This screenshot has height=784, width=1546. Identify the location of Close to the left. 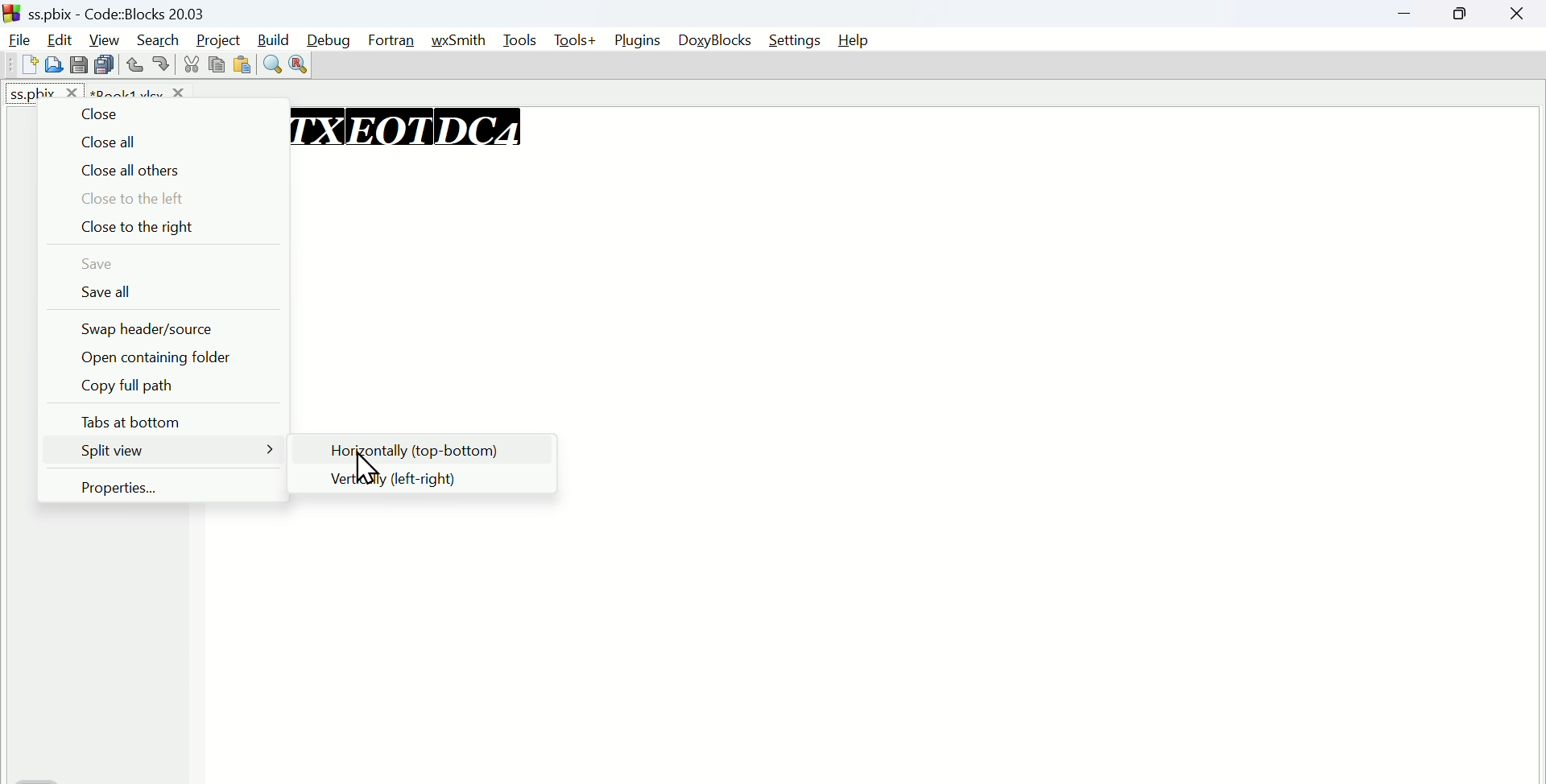
(162, 199).